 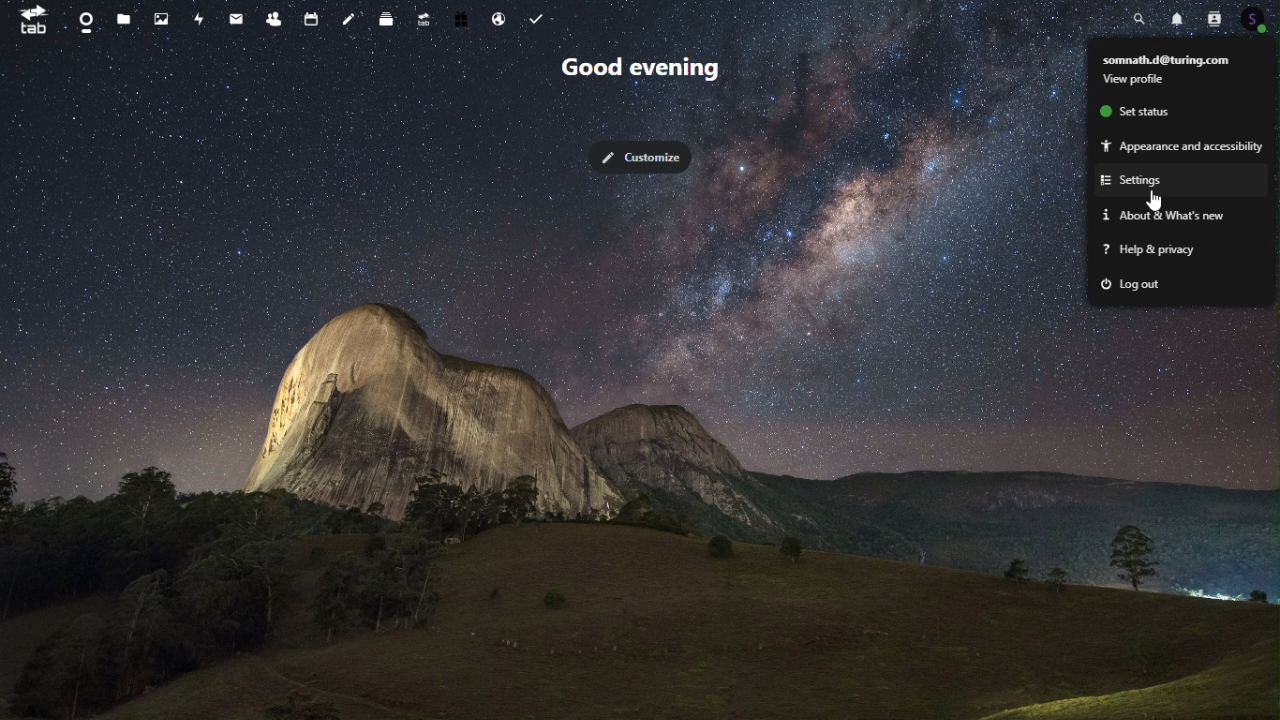 What do you see at coordinates (1155, 200) in the screenshot?
I see `cursor` at bounding box center [1155, 200].